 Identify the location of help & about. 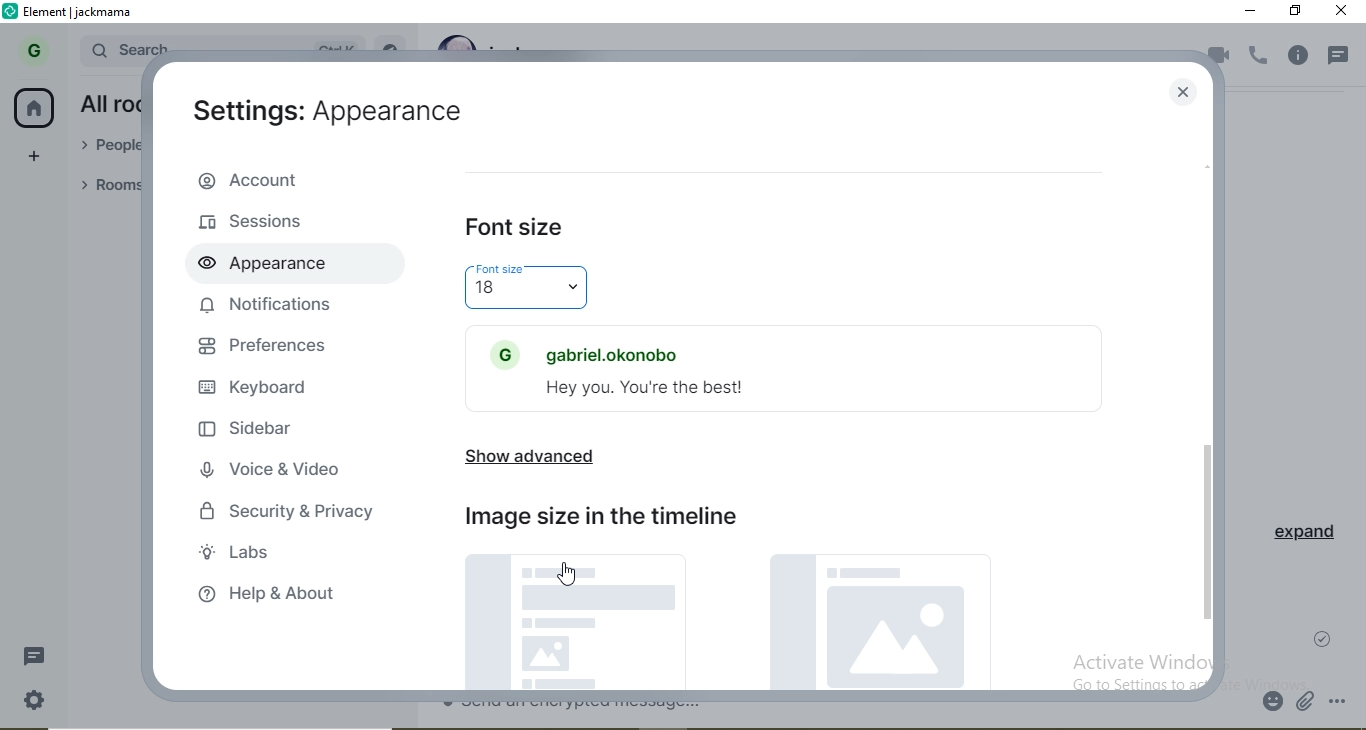
(273, 590).